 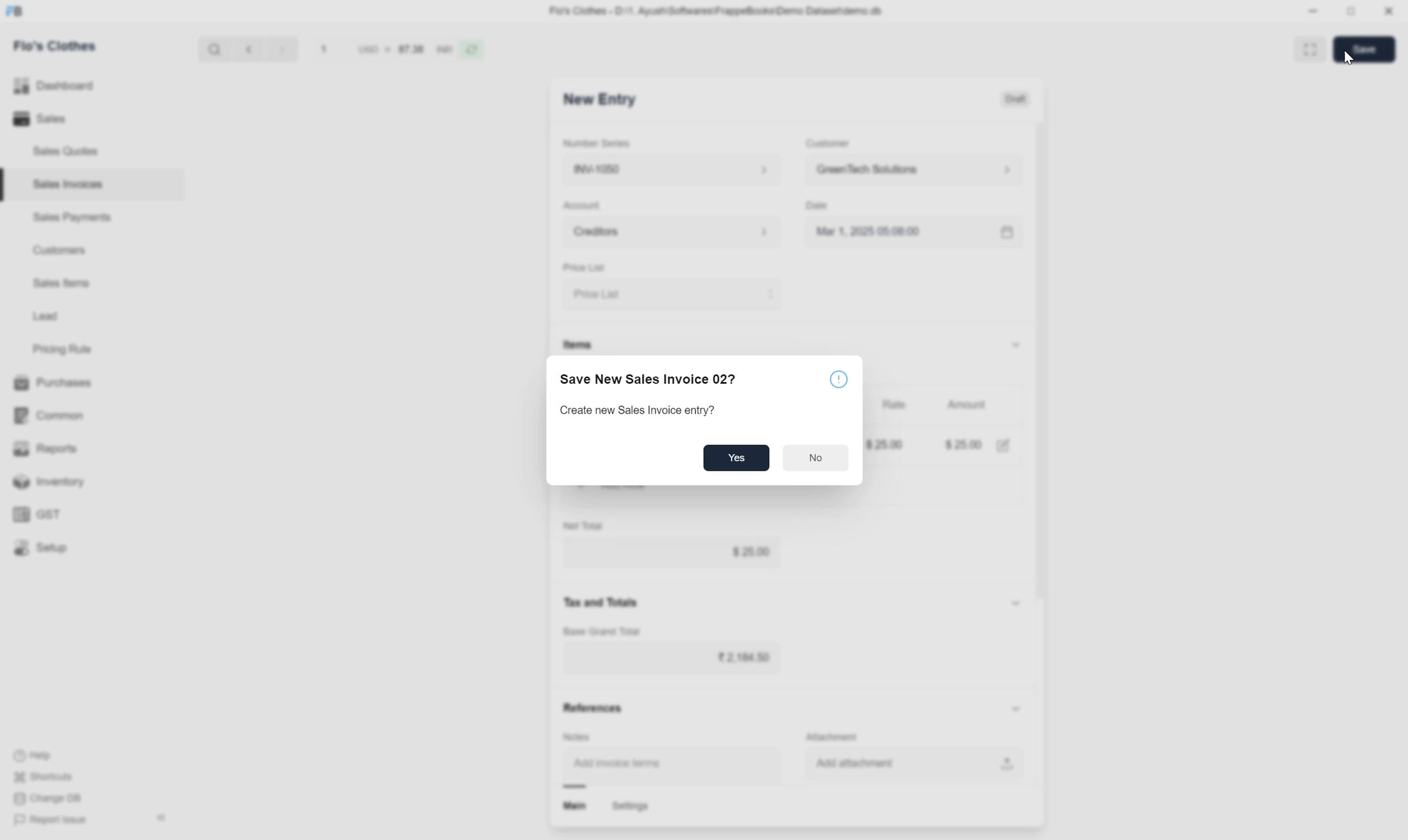 I want to click on Purchases , so click(x=71, y=381).